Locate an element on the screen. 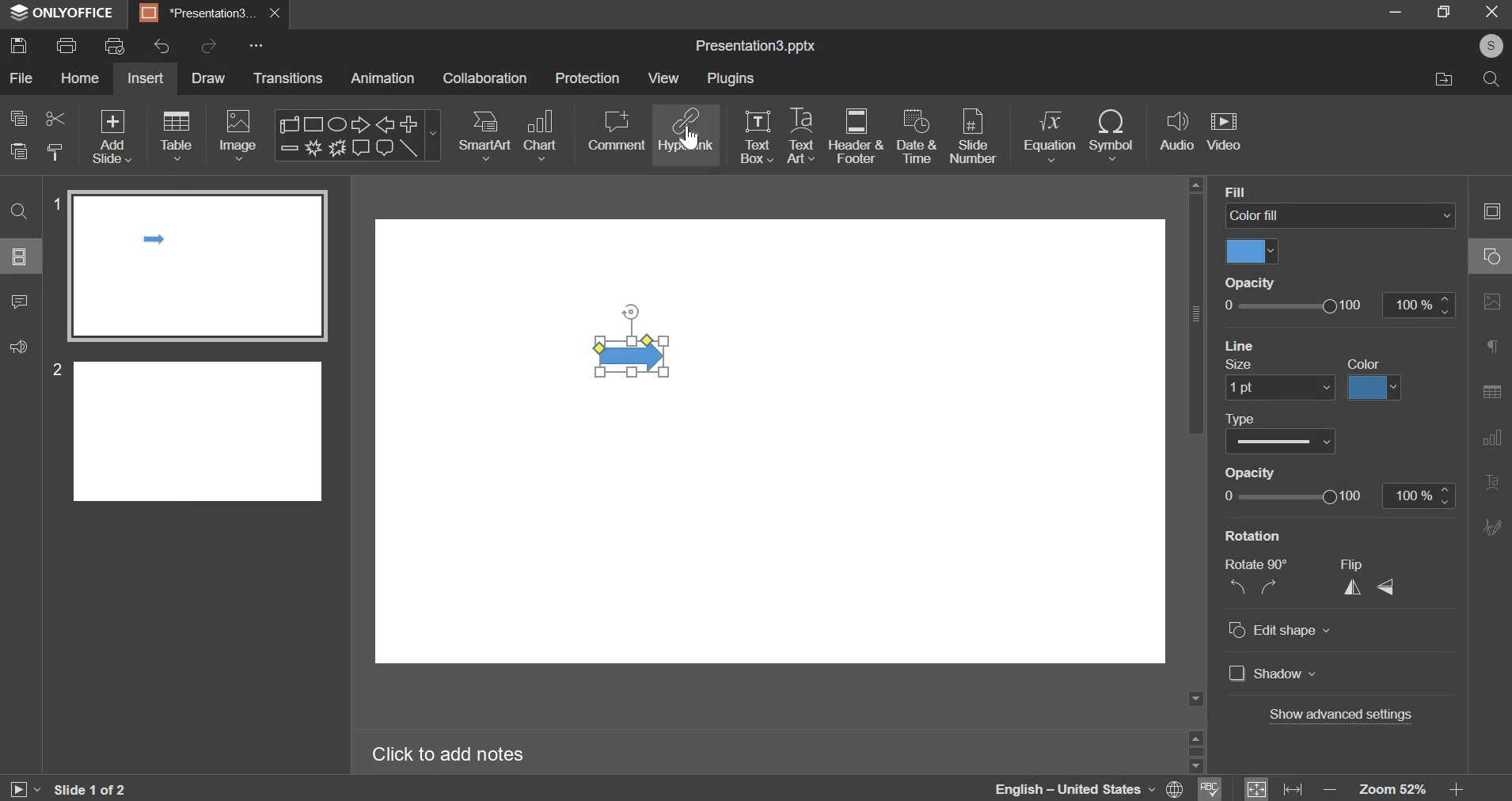  rounded rectangular callout is located at coordinates (384, 150).